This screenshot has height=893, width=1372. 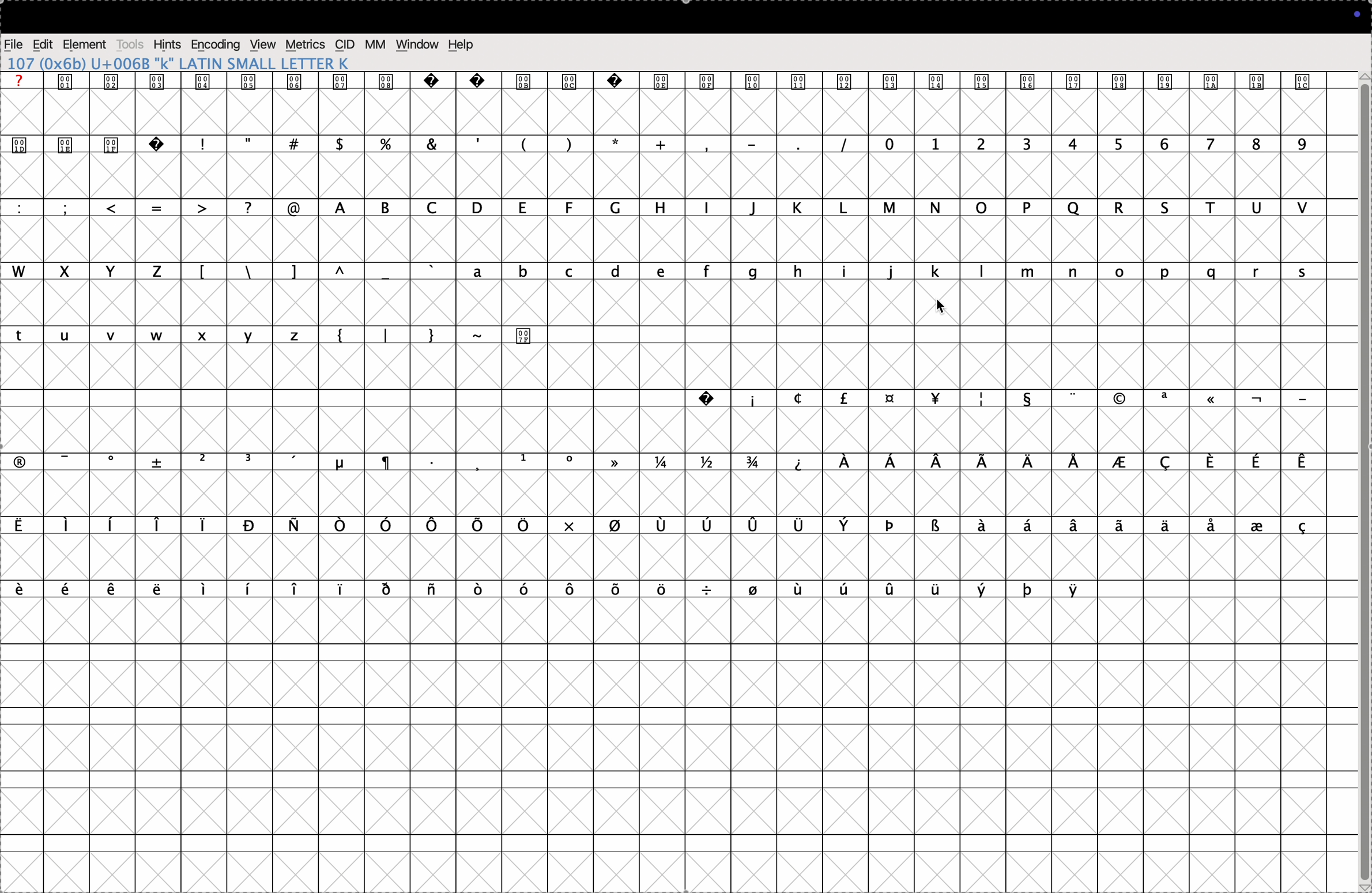 I want to click on o, so click(x=1128, y=273).